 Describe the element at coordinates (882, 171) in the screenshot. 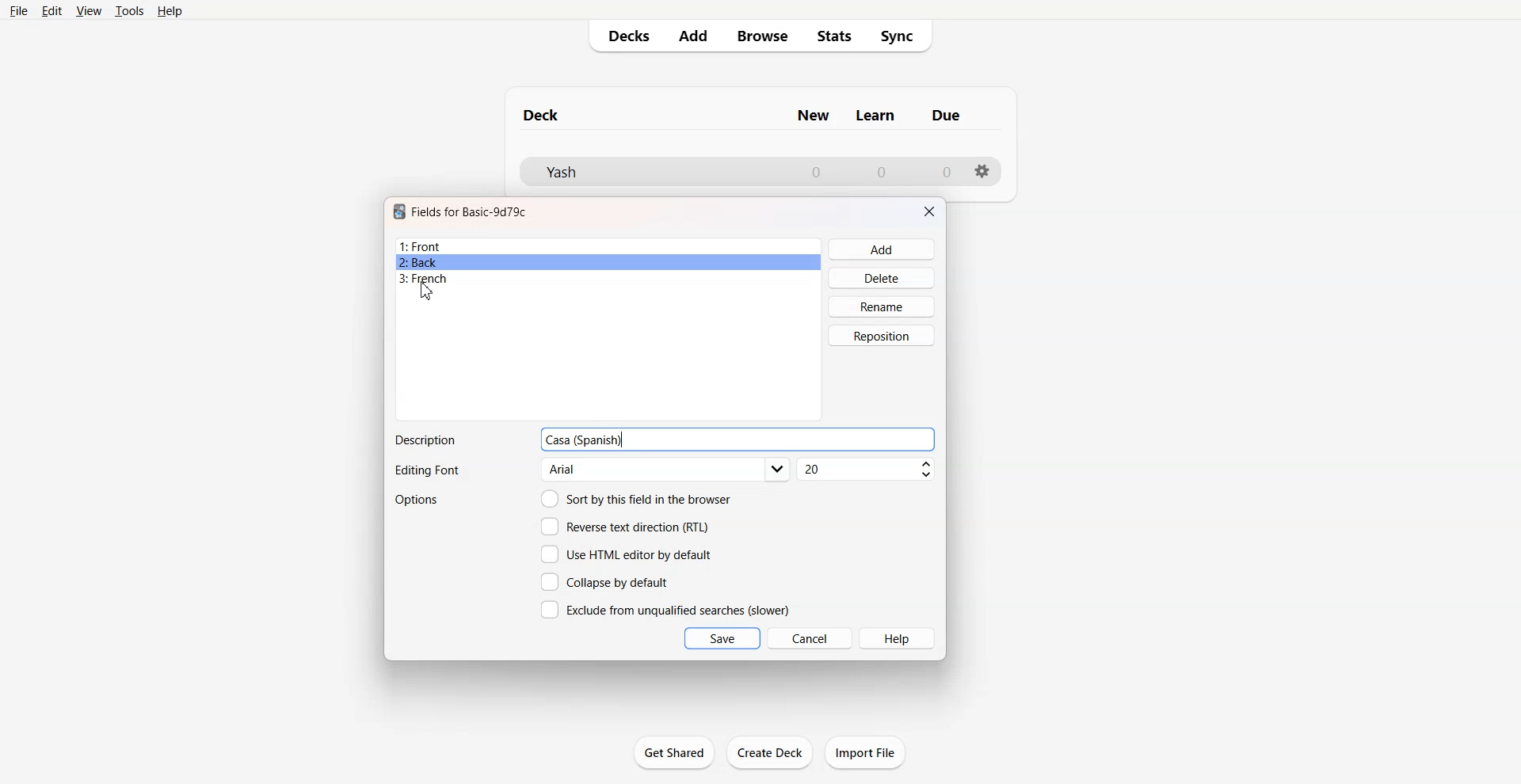

I see `Number of Learn cards` at that location.